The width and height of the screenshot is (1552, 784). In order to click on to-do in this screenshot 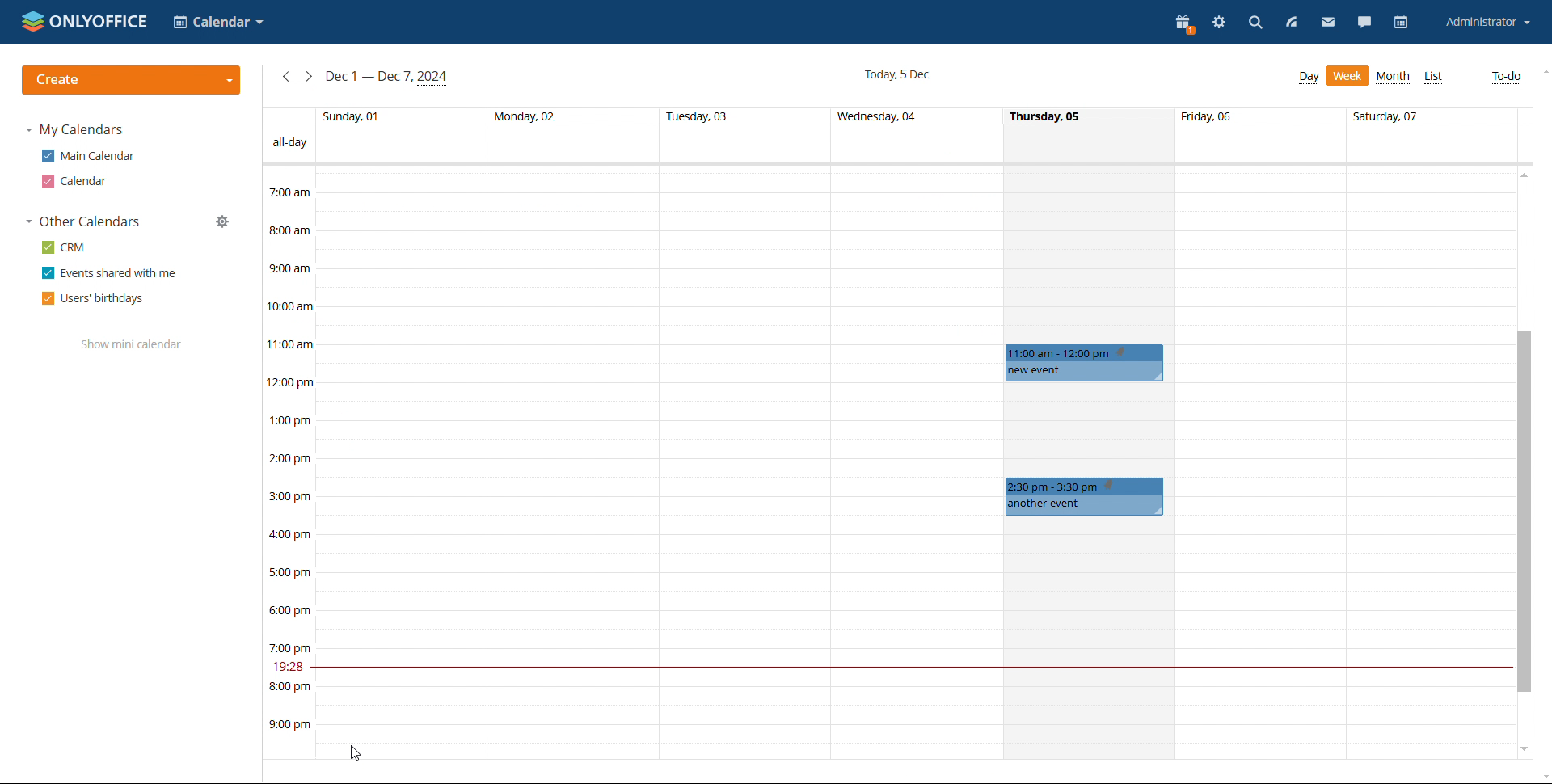, I will do `click(1508, 77)`.